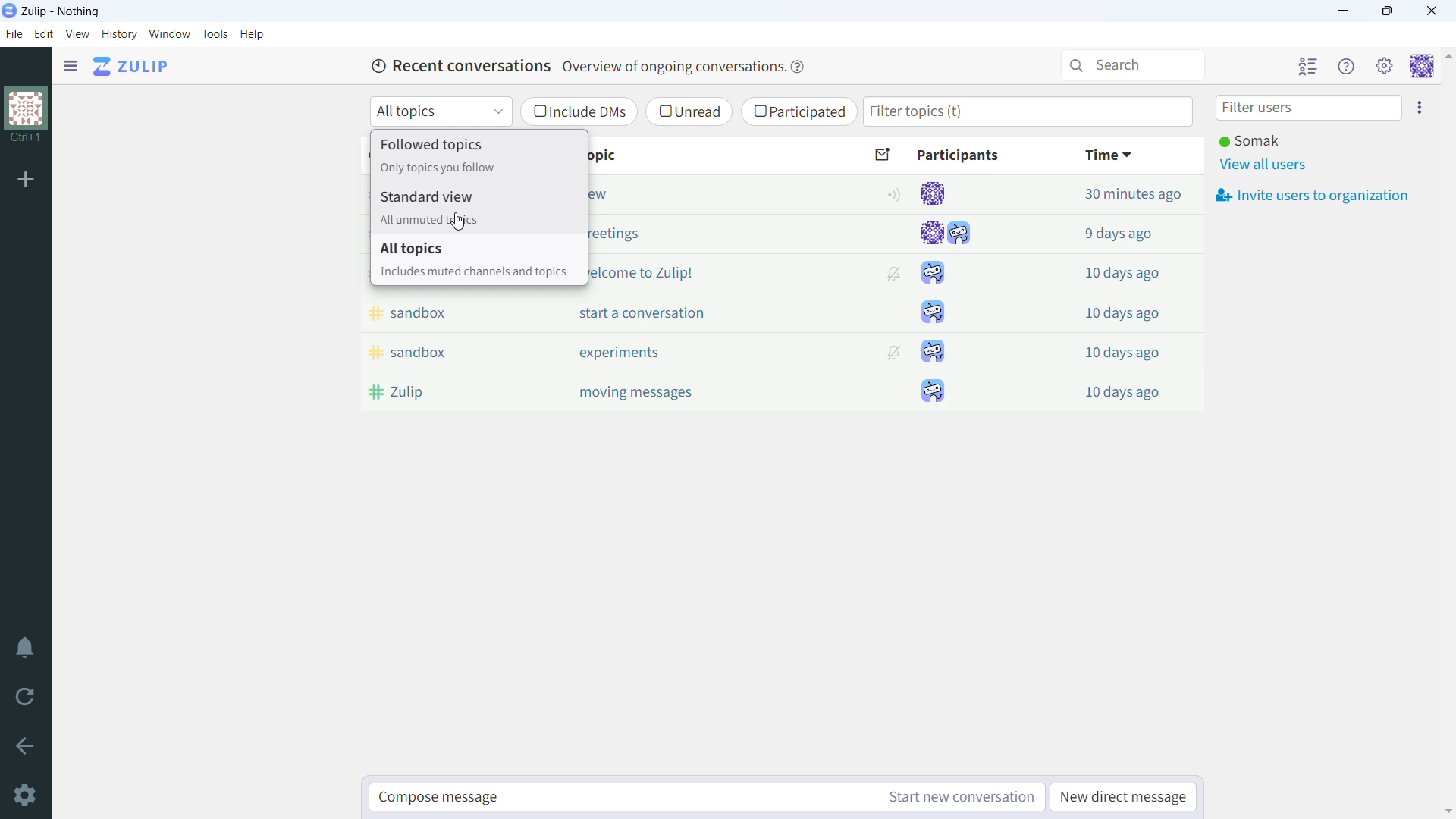  I want to click on muted, so click(895, 274).